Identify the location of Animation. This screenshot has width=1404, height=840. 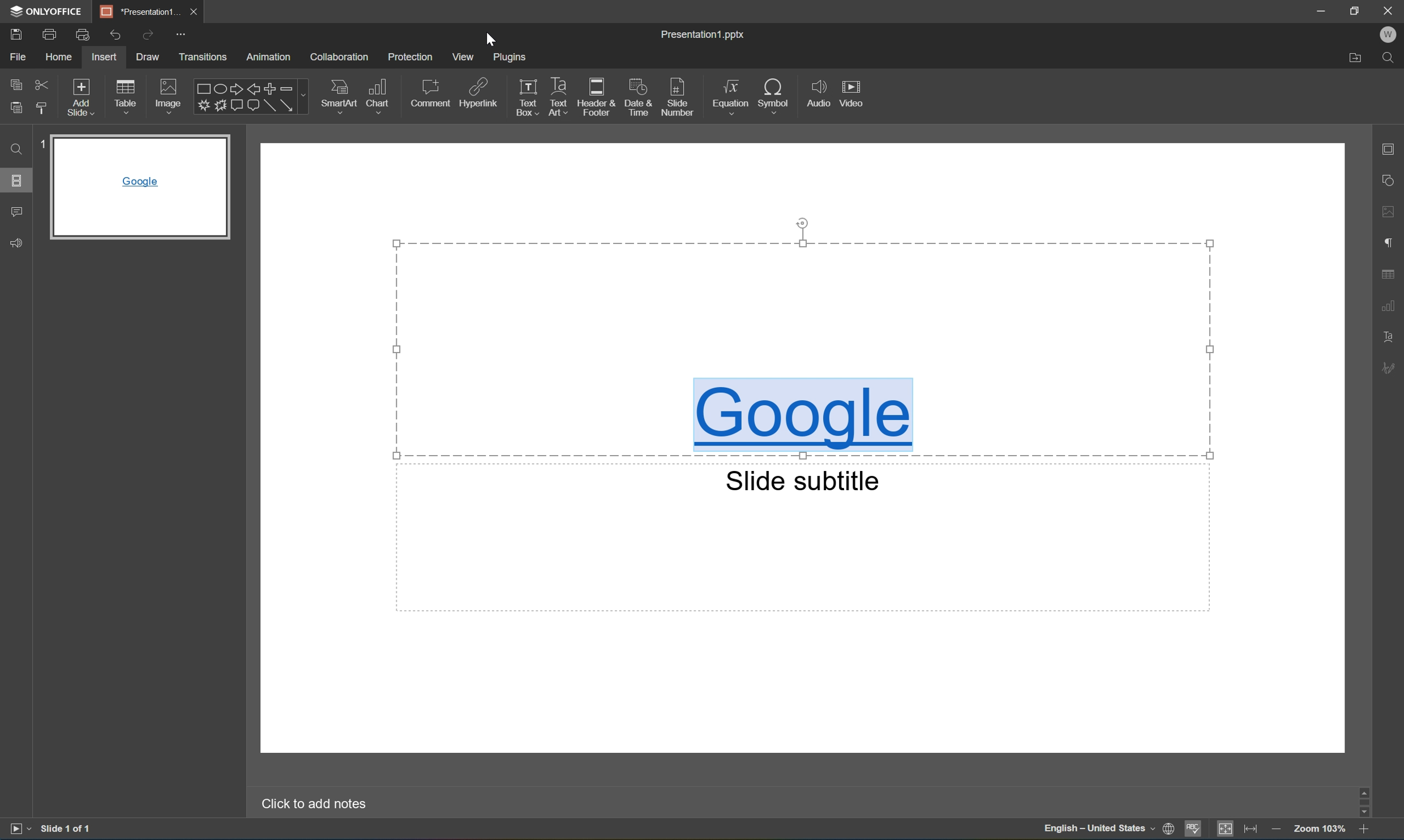
(272, 57).